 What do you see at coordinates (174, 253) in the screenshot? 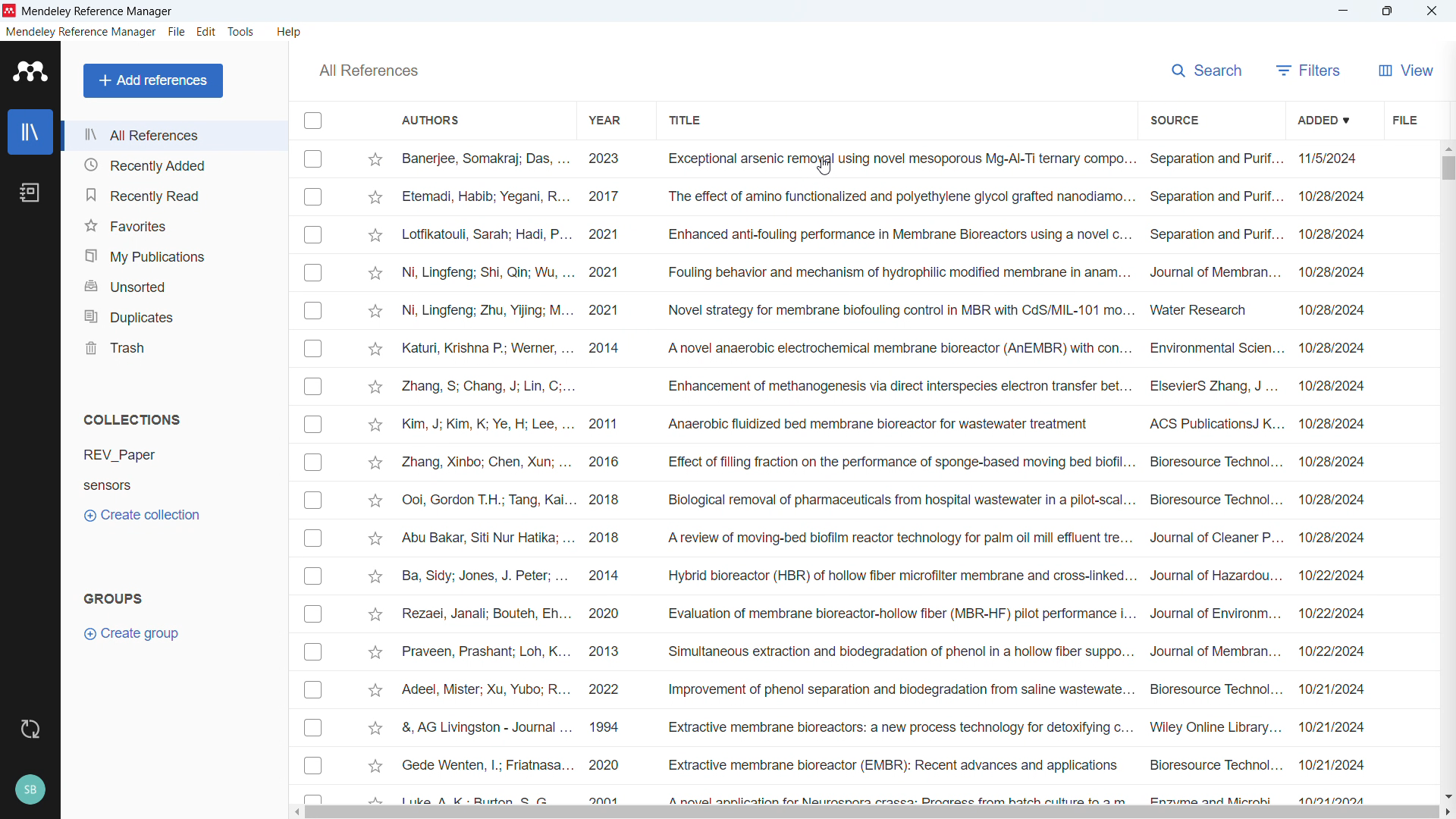
I see `my publications` at bounding box center [174, 253].